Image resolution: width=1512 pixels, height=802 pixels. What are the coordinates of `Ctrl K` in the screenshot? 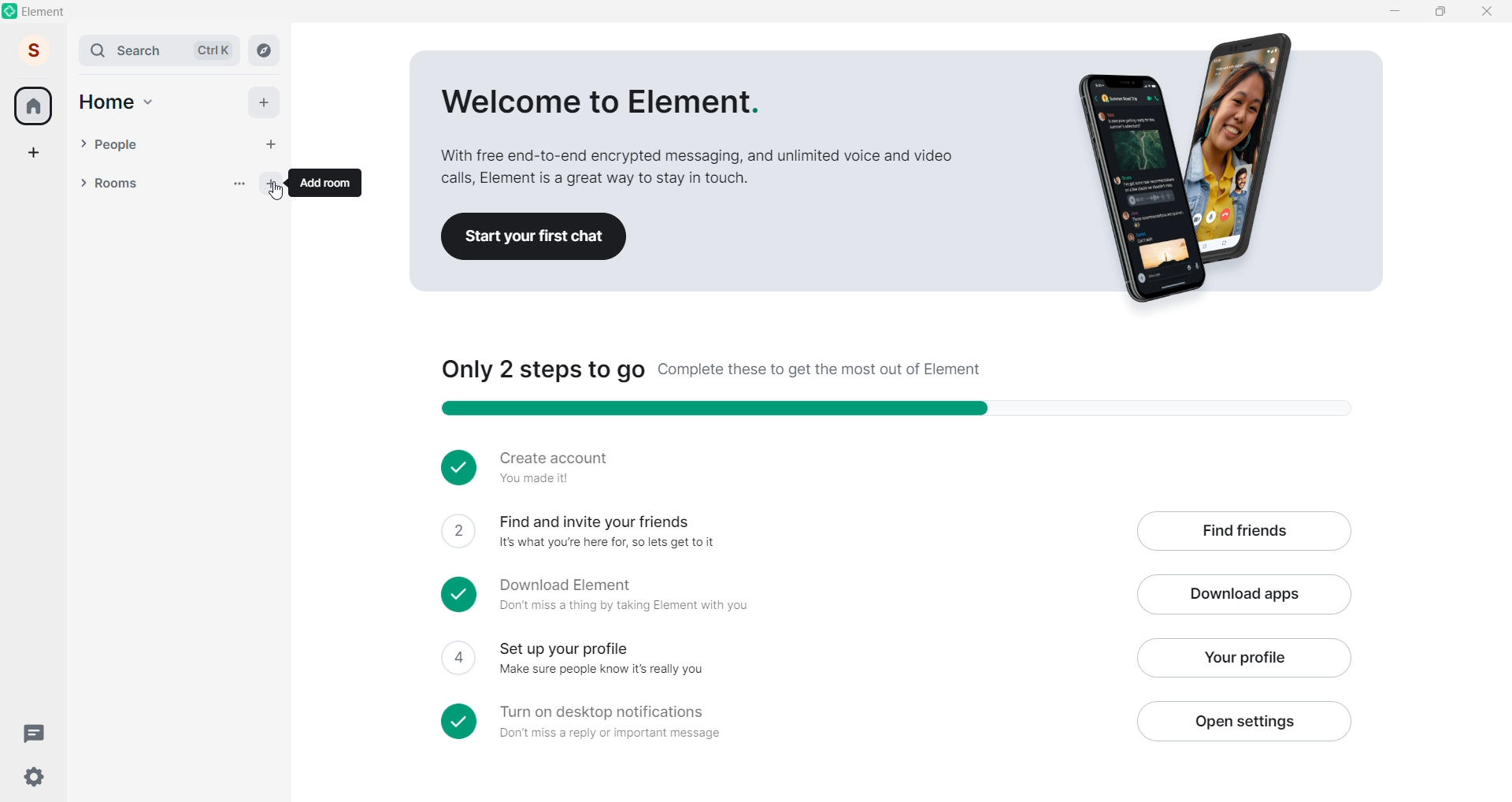 It's located at (213, 50).